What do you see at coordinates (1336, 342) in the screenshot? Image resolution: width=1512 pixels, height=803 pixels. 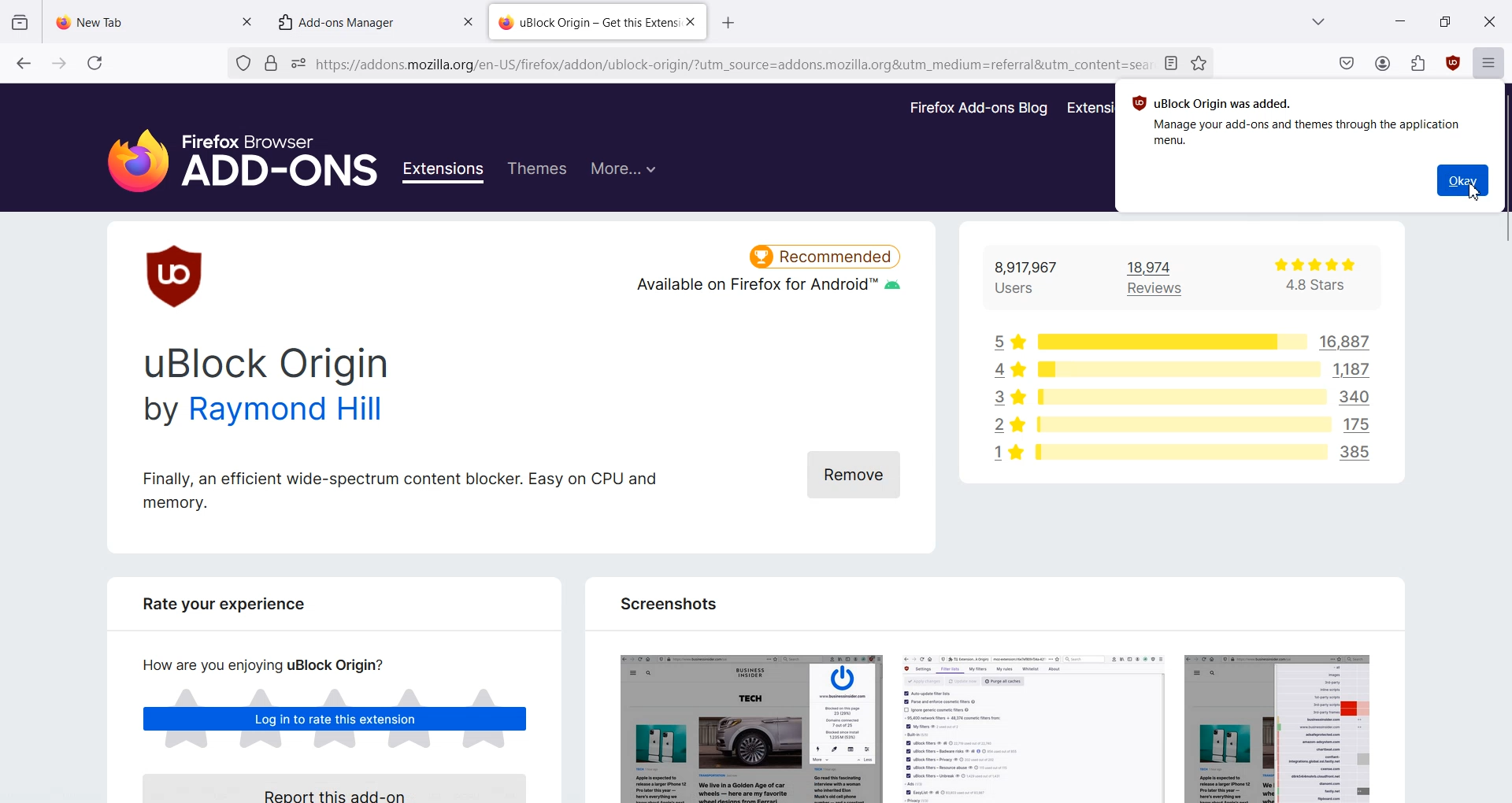 I see `16,887 users` at bounding box center [1336, 342].